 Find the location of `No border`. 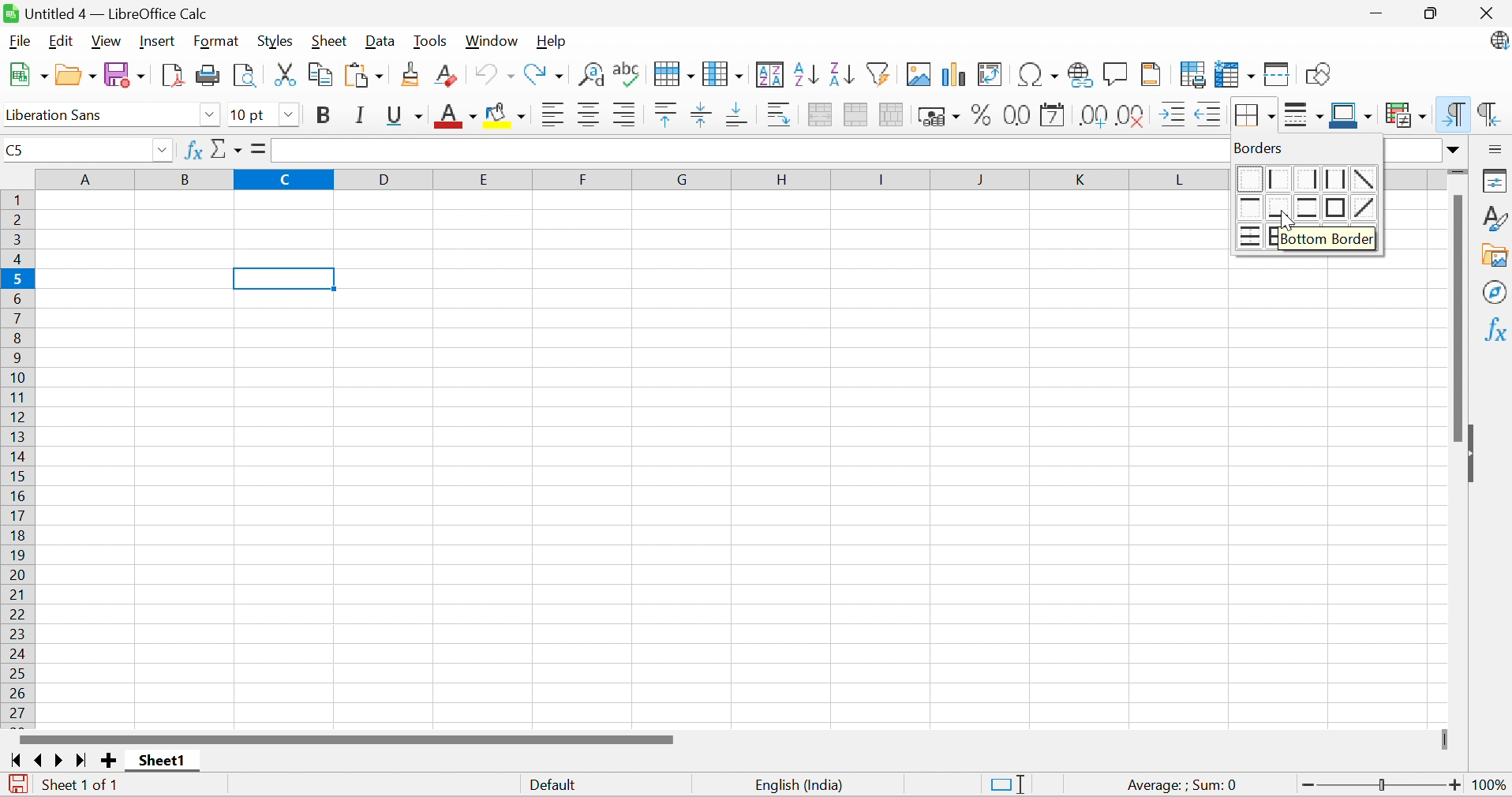

No border is located at coordinates (1248, 179).